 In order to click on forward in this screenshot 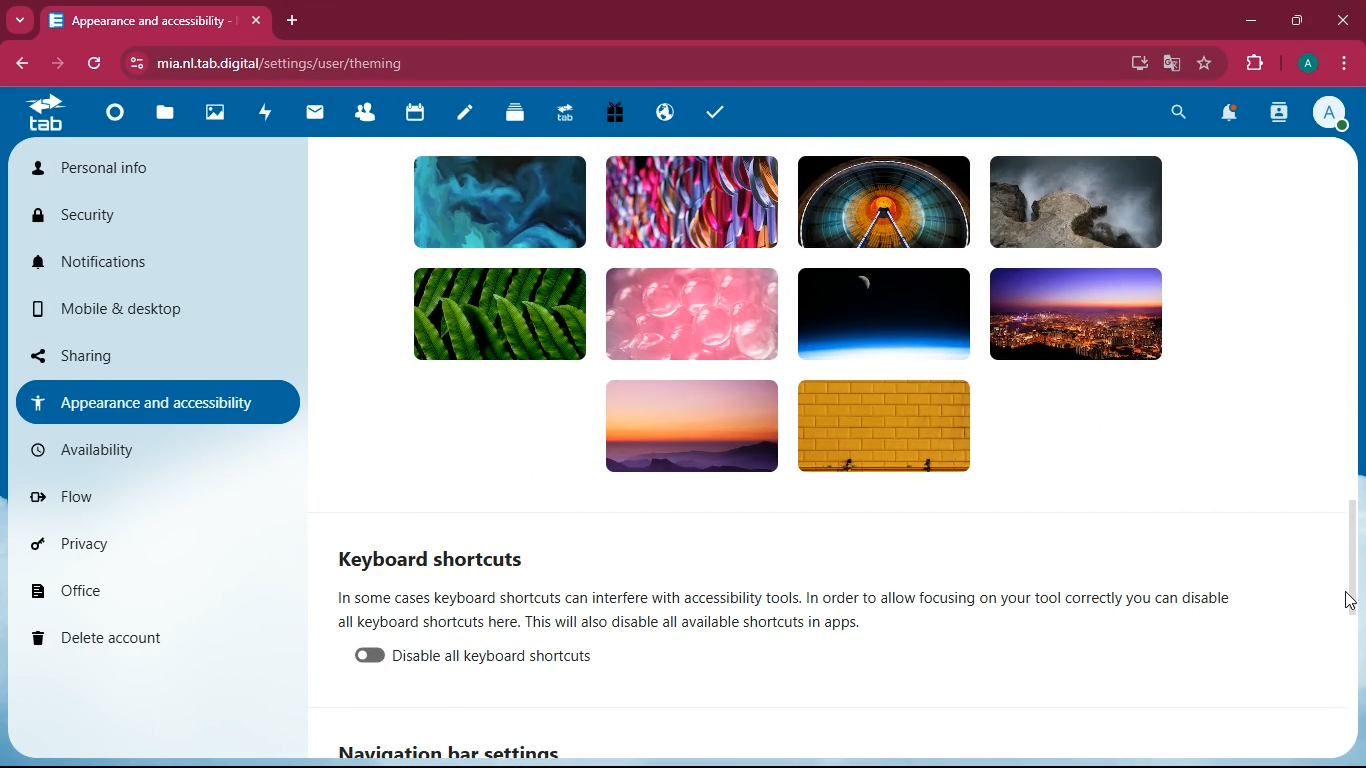, I will do `click(55, 62)`.